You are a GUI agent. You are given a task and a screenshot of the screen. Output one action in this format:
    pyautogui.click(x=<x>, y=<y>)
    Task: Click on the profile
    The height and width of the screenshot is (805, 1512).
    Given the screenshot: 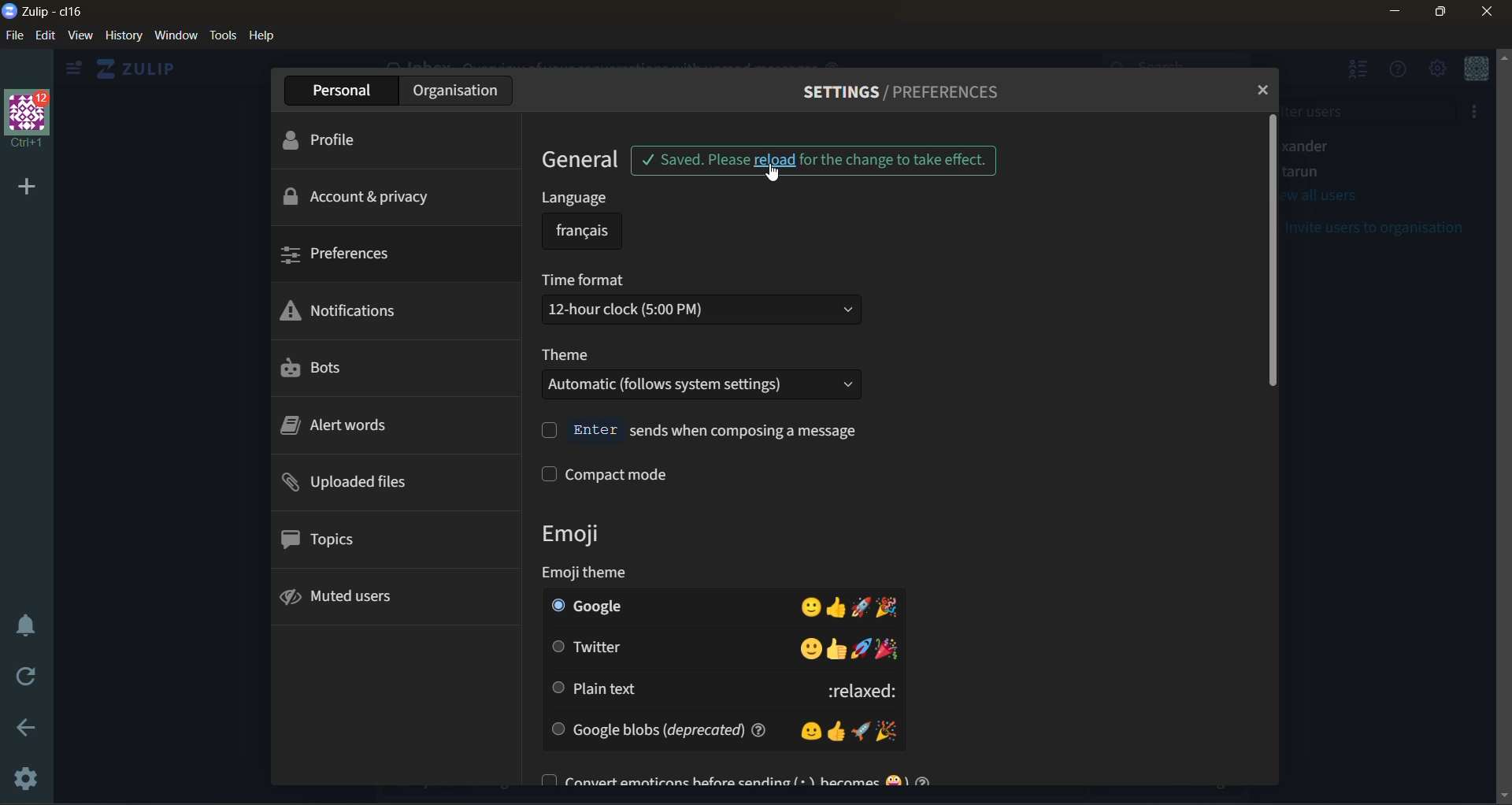 What is the action you would take?
    pyautogui.click(x=350, y=135)
    